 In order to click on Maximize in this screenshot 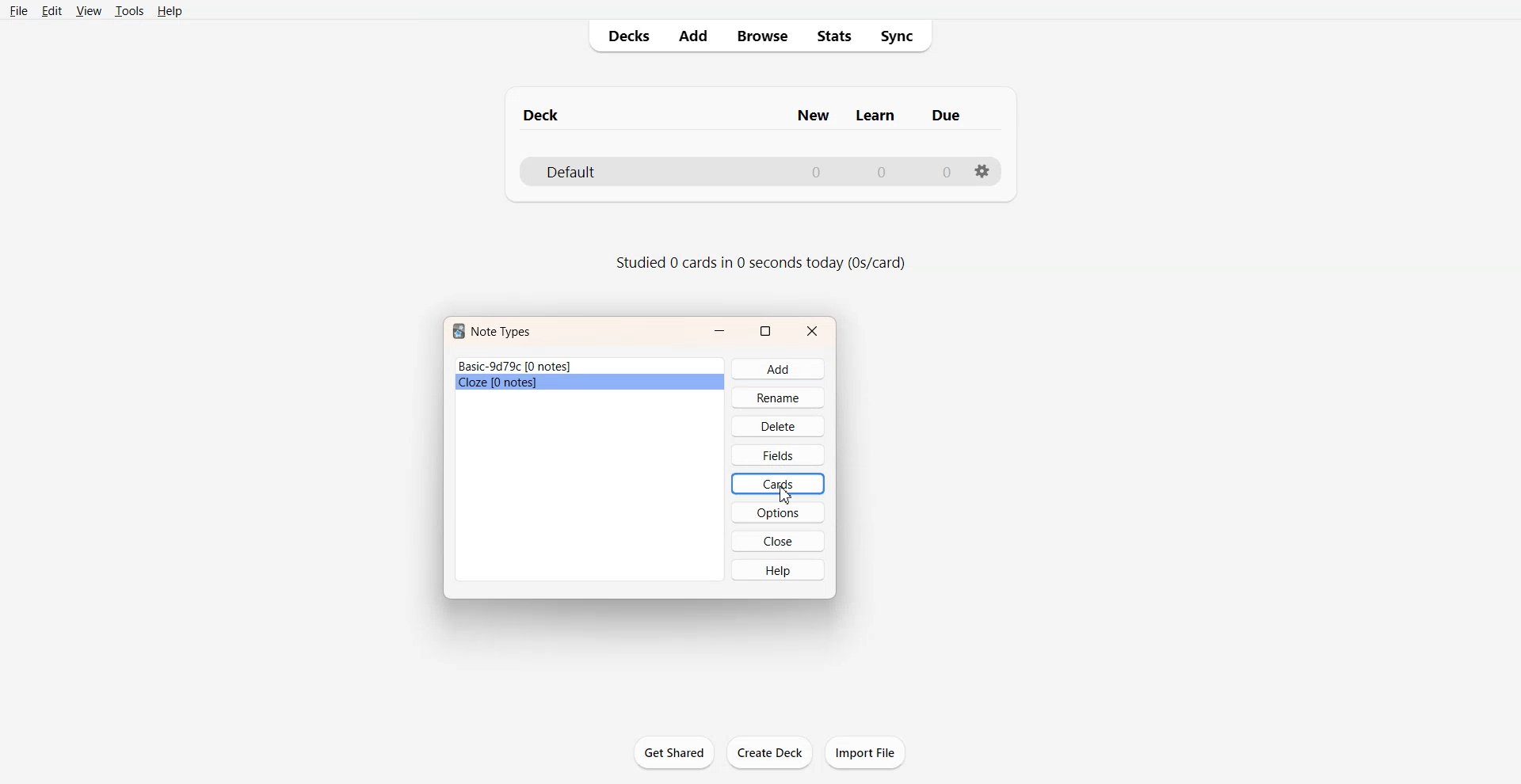, I will do `click(765, 332)`.